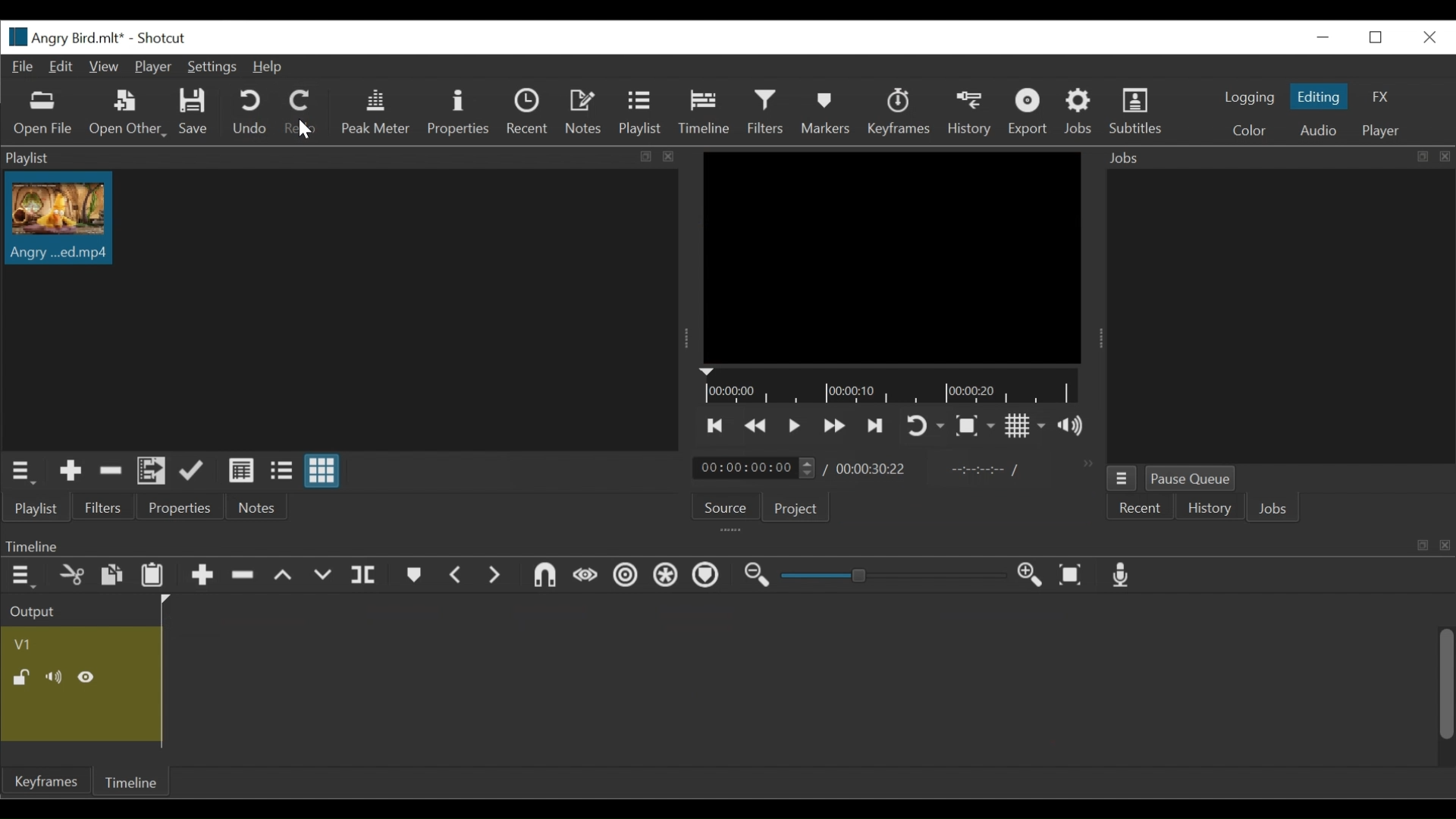 This screenshot has width=1456, height=819. I want to click on View as files, so click(281, 470).